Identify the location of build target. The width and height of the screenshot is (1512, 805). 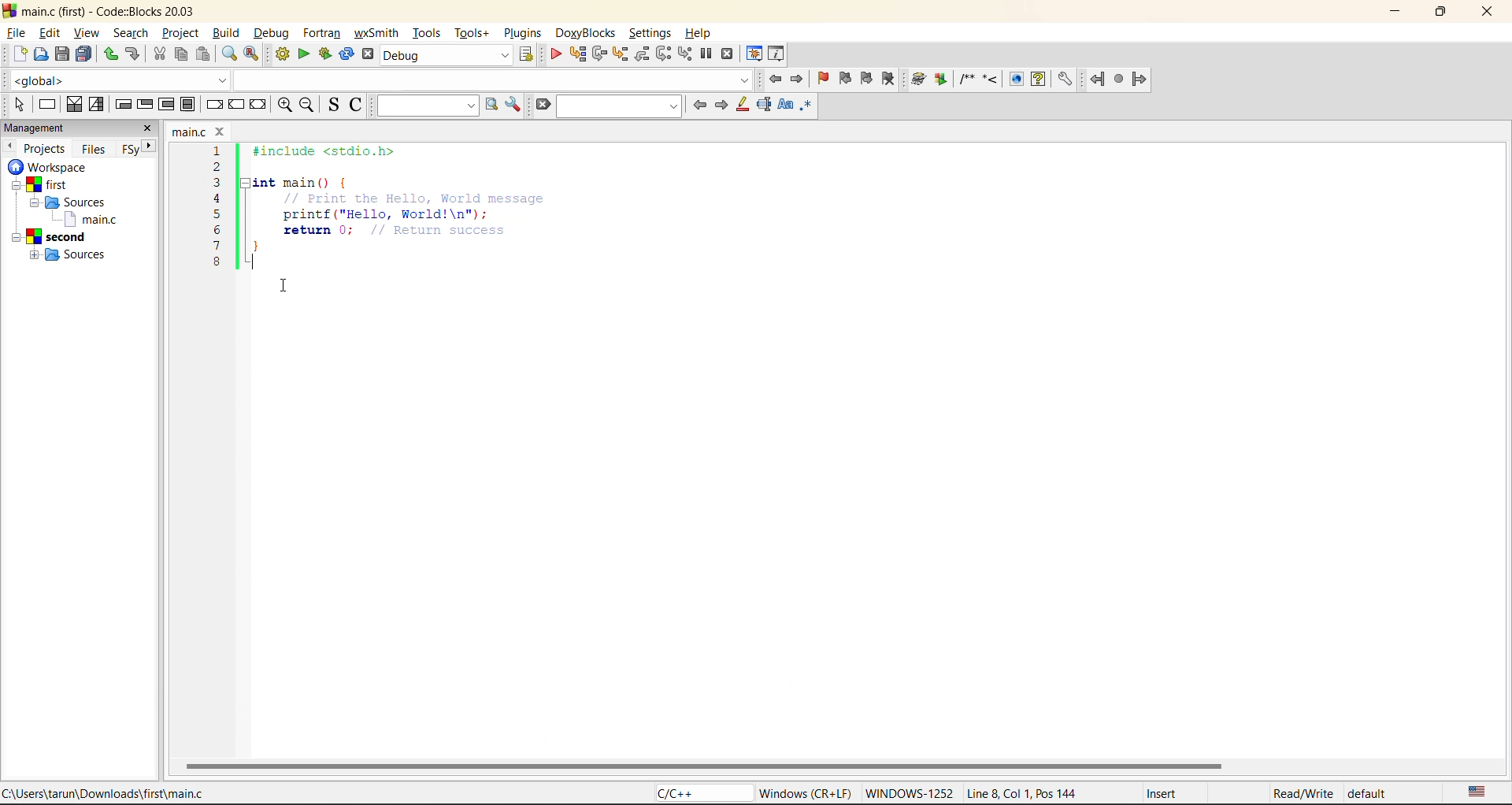
(448, 55).